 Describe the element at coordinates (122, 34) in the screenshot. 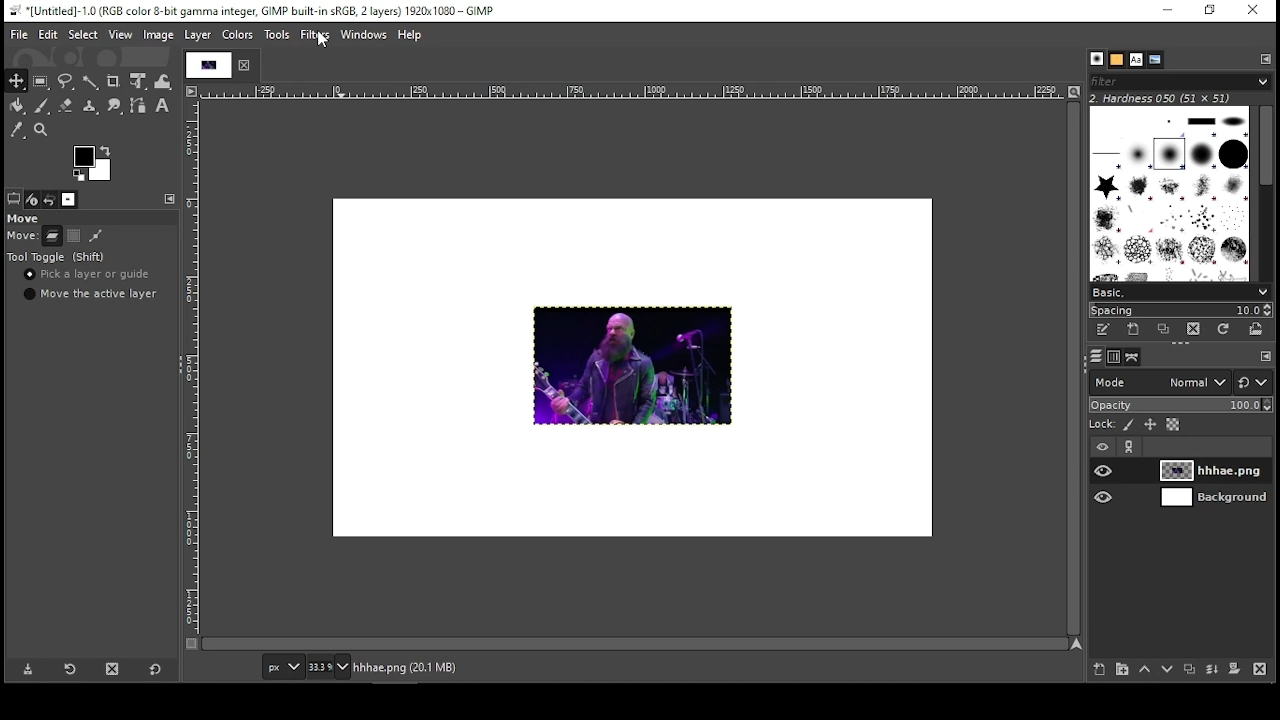

I see `view` at that location.